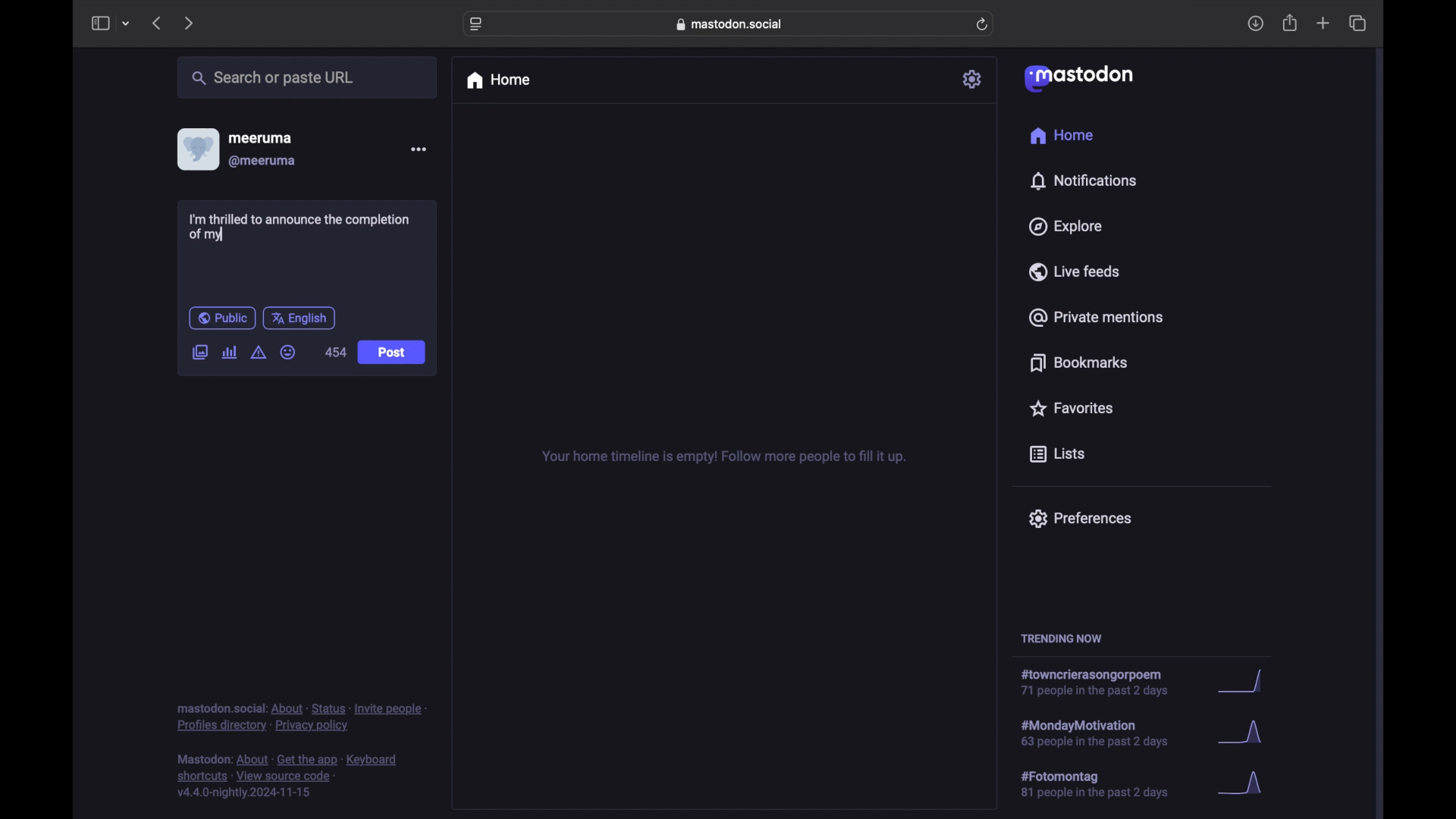  Describe the element at coordinates (1109, 732) in the screenshot. I see `hashtag  trend` at that location.